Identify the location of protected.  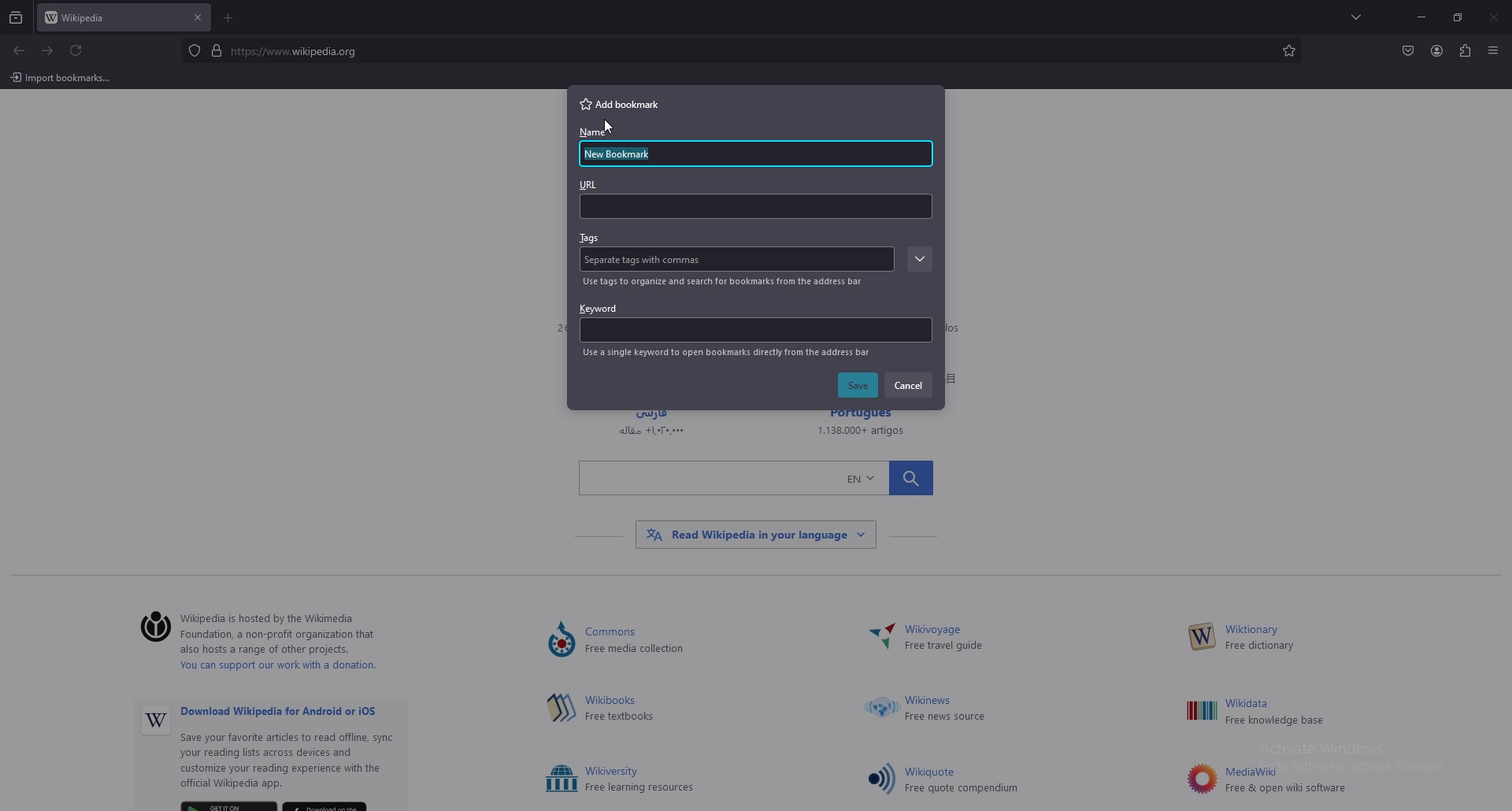
(194, 50).